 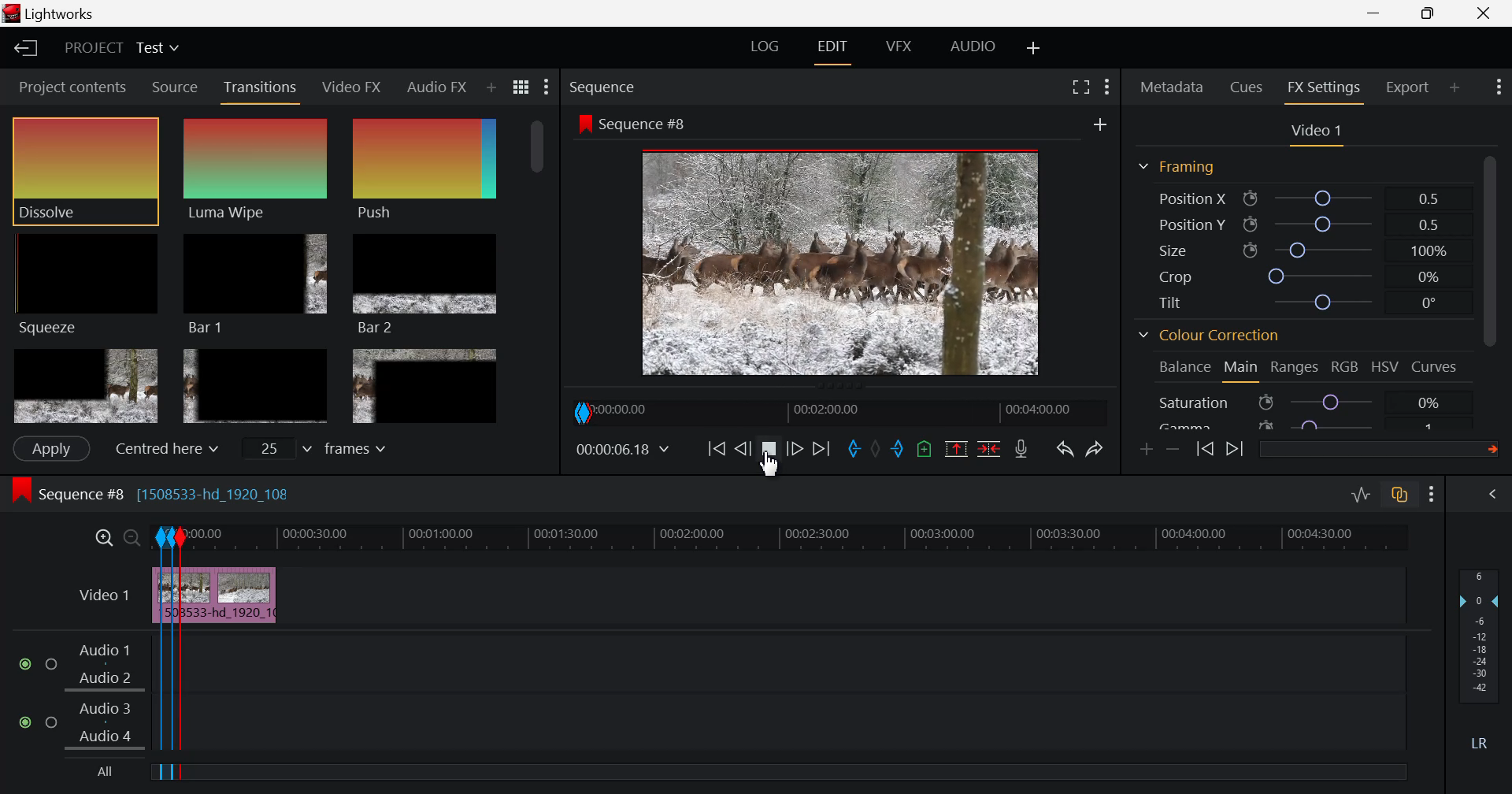 I want to click on Clip, so click(x=246, y=596).